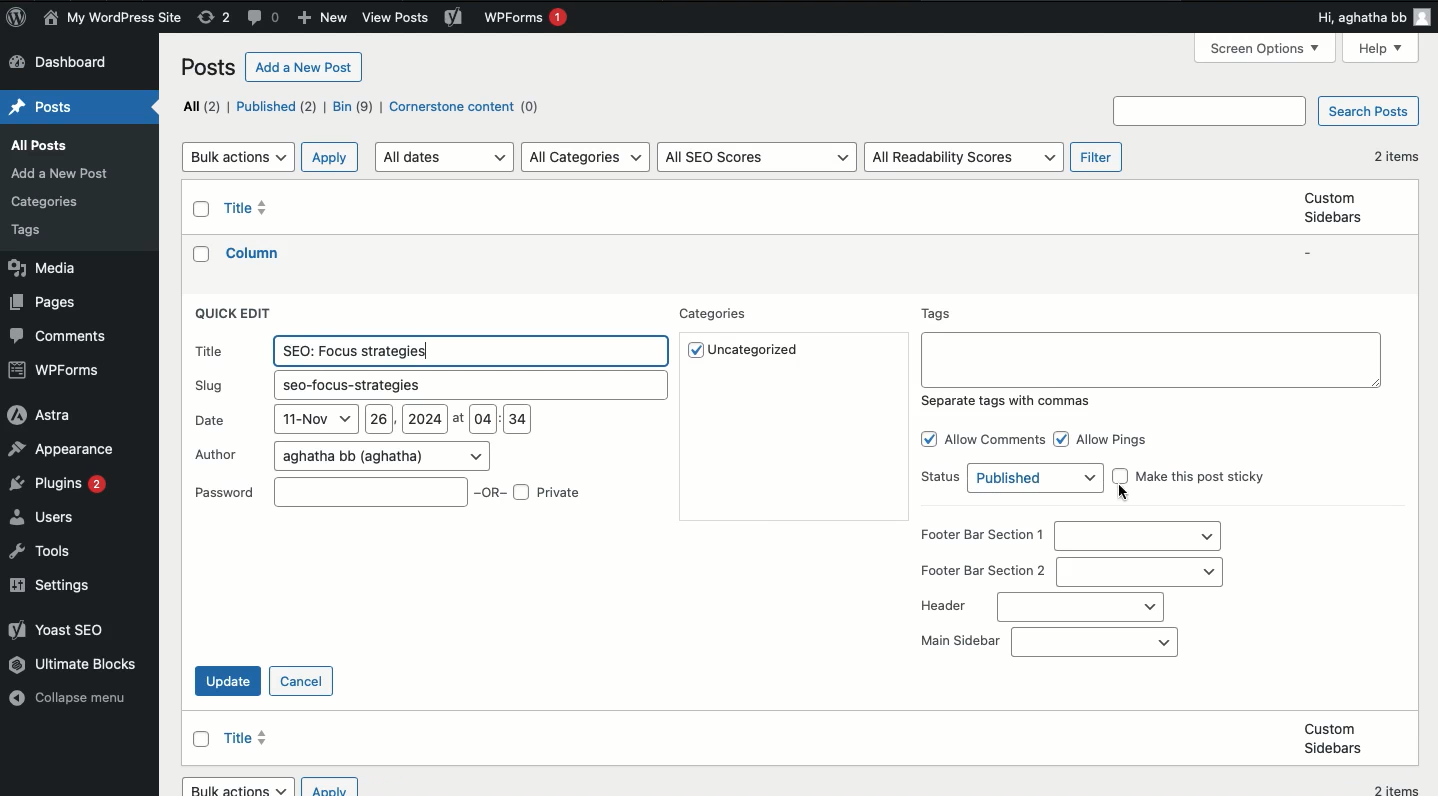 This screenshot has width=1438, height=796. What do you see at coordinates (471, 349) in the screenshot?
I see `Title` at bounding box center [471, 349].